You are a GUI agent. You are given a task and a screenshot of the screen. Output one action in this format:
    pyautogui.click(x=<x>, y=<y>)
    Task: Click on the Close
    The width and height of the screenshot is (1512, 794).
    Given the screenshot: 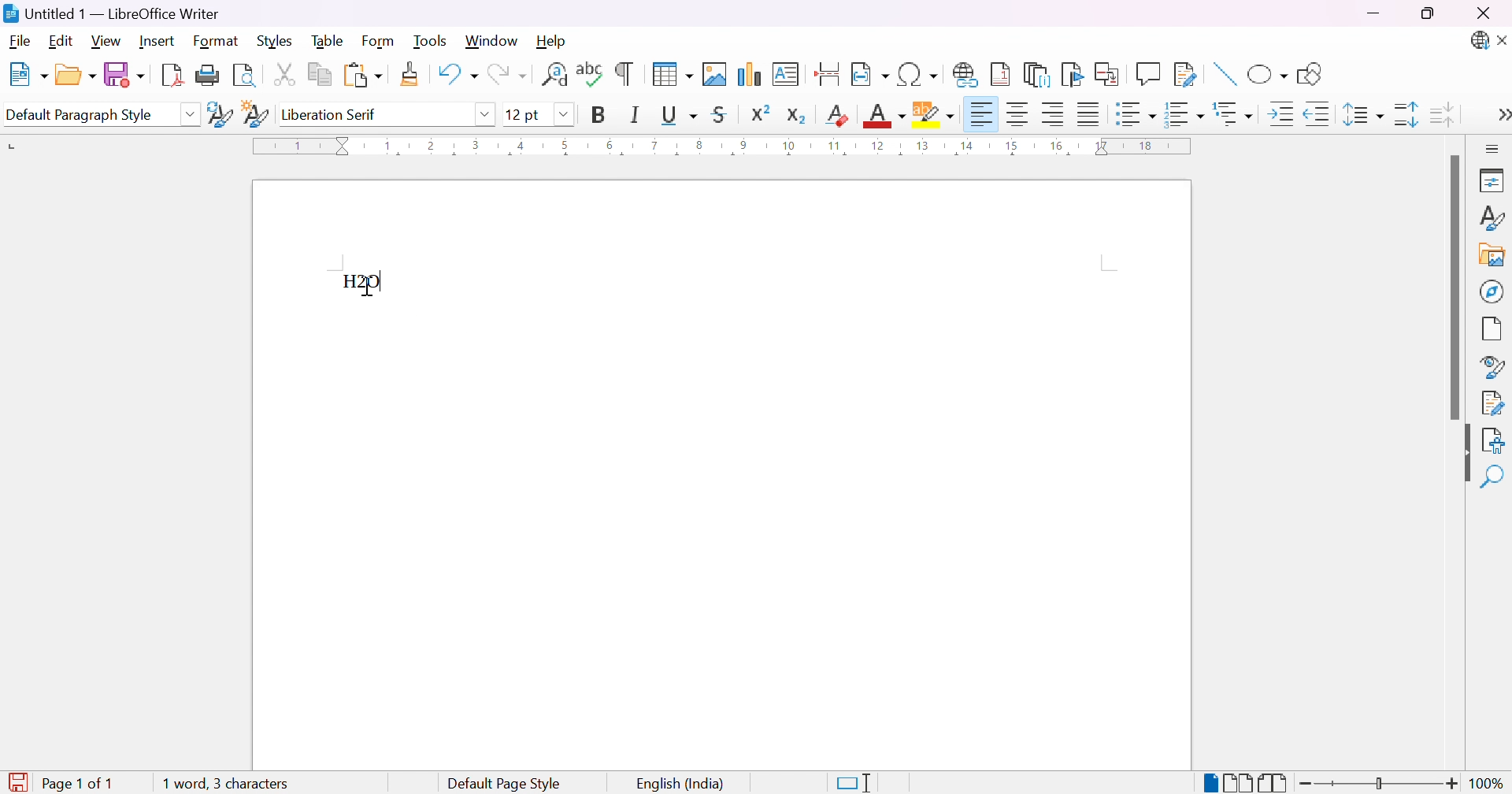 What is the action you would take?
    pyautogui.click(x=1503, y=42)
    